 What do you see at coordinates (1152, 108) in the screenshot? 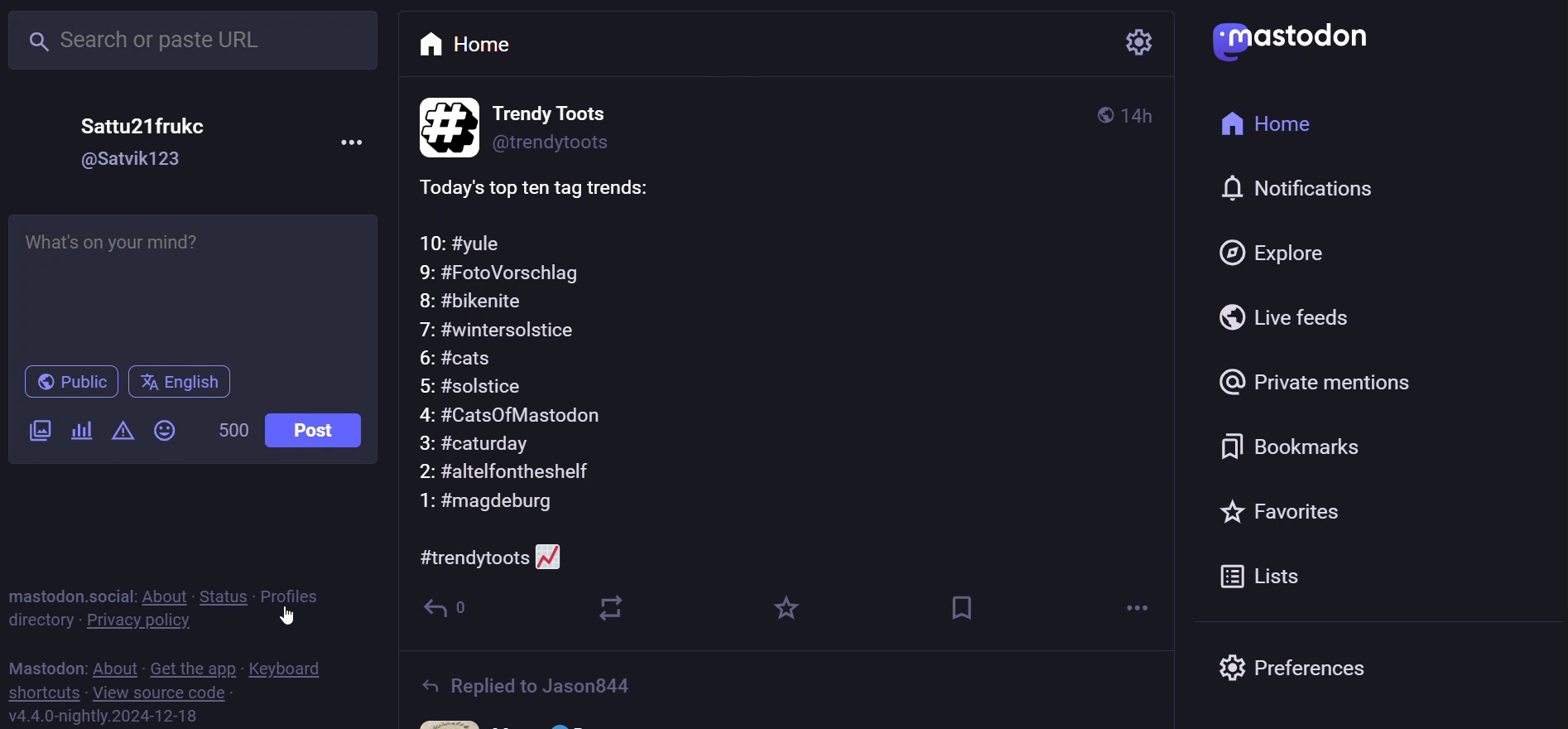
I see `4h` at bounding box center [1152, 108].